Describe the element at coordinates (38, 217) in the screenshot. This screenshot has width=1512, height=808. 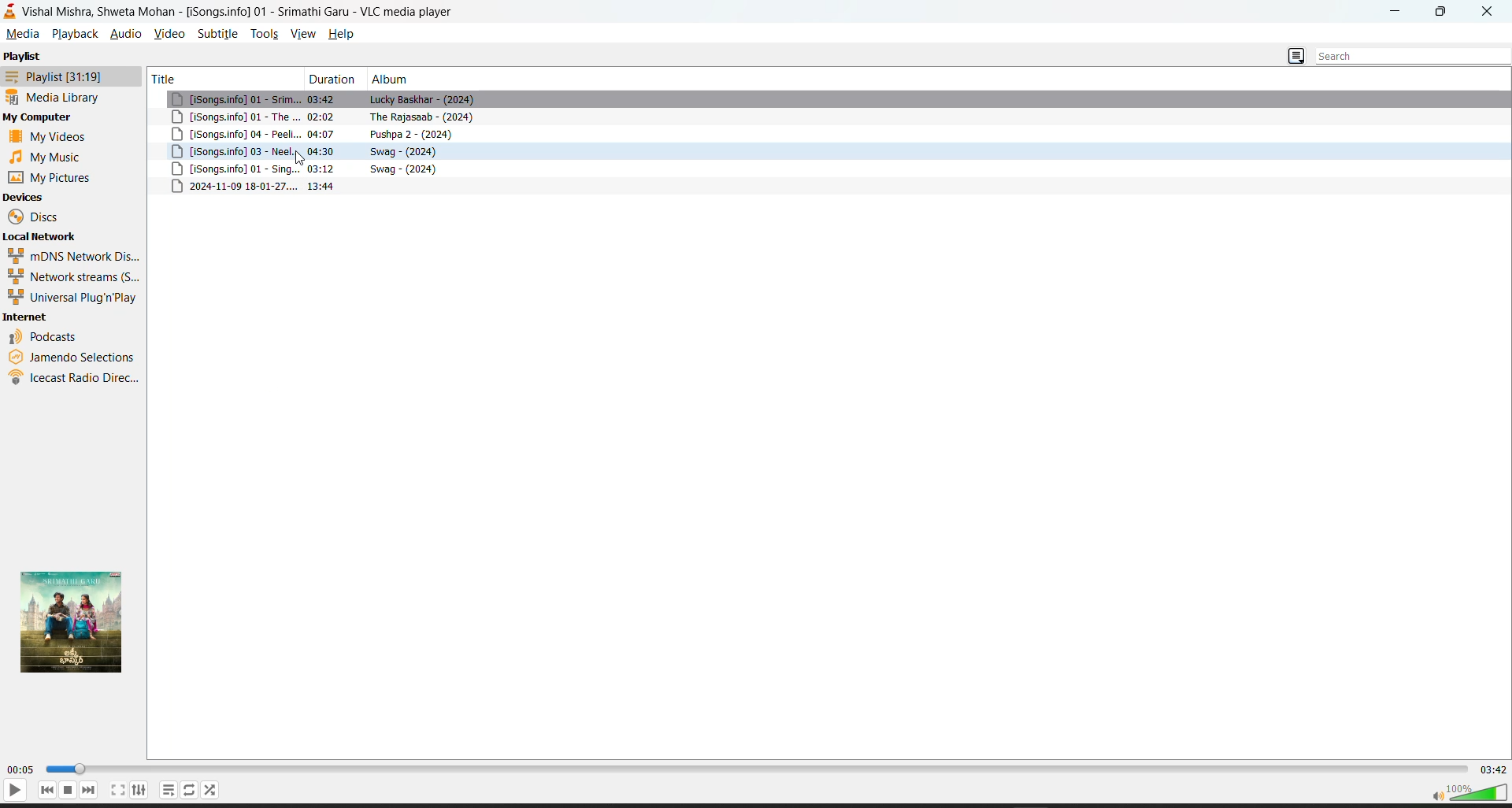
I see `discs` at that location.